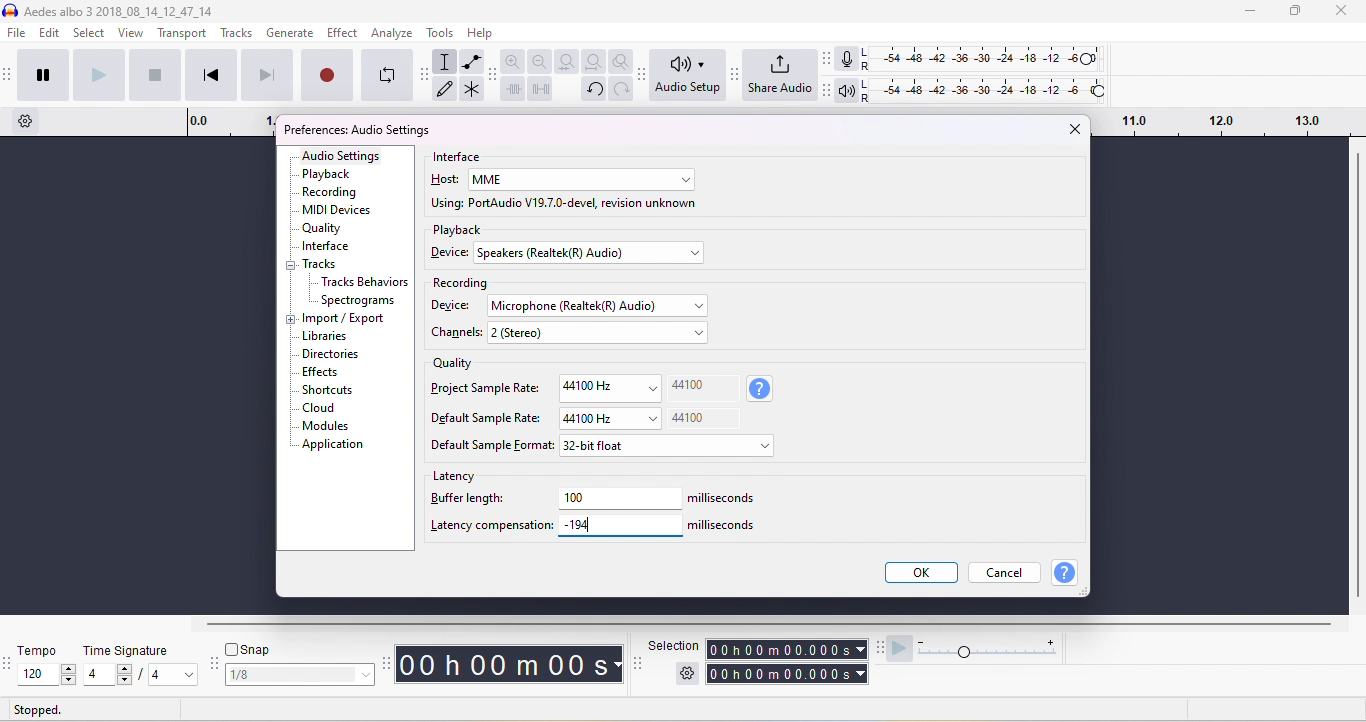 This screenshot has width=1366, height=722. Describe the element at coordinates (487, 418) in the screenshot. I see `Default sample rate:` at that location.